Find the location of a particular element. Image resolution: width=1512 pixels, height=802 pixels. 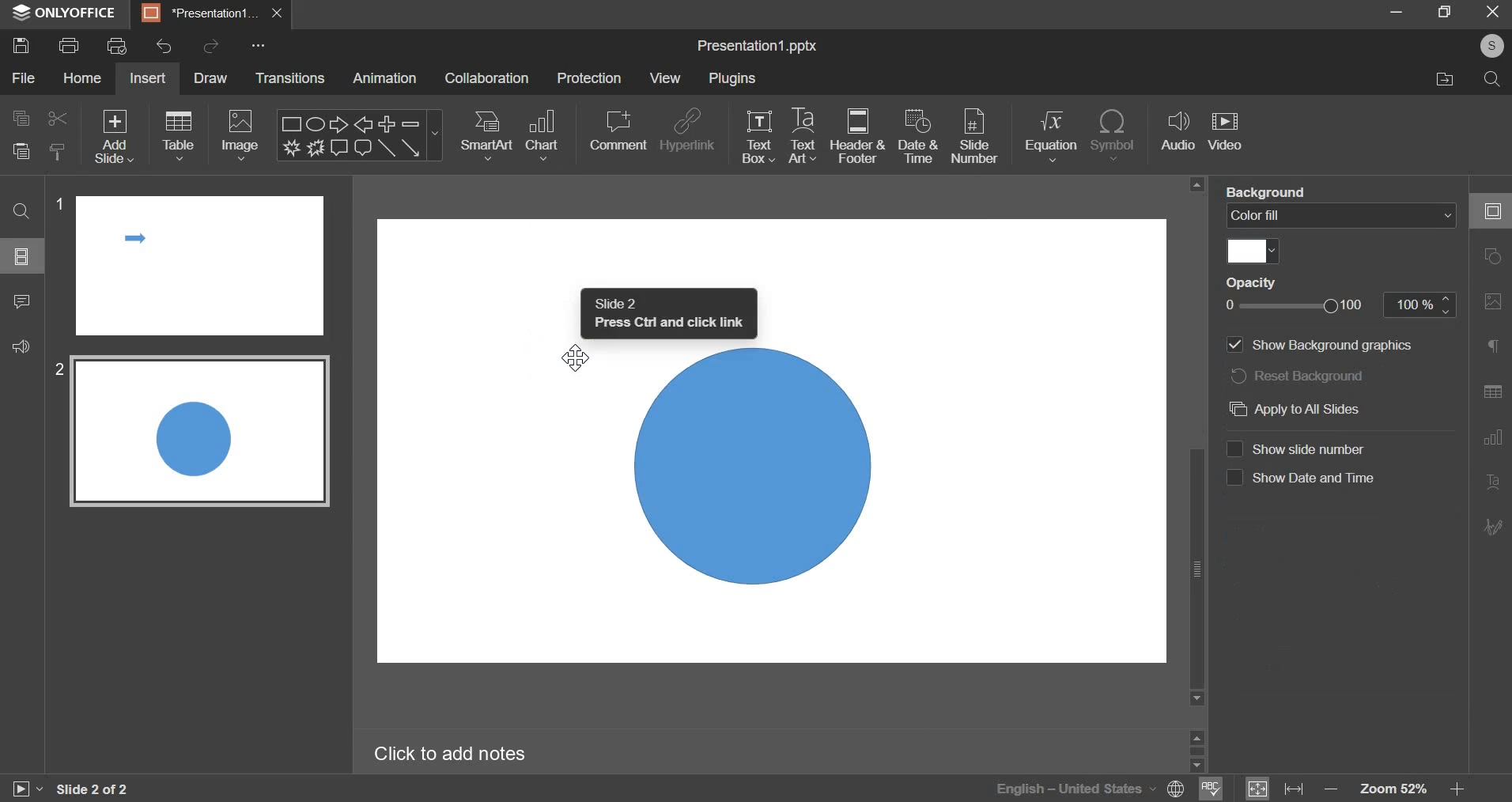

slide is located at coordinates (22, 255).